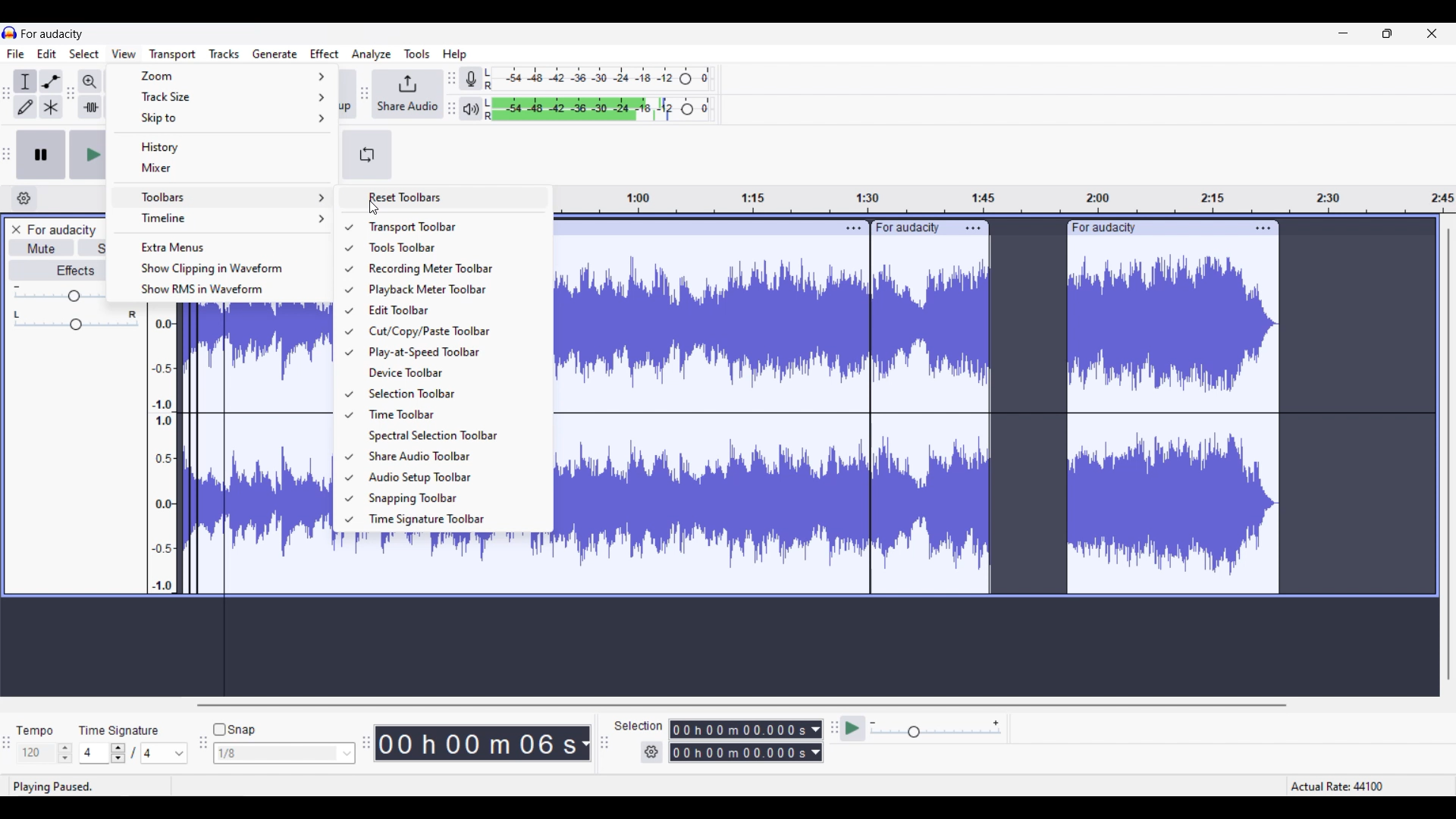 The image size is (1456, 819). Describe the element at coordinates (57, 269) in the screenshot. I see `Effects` at that location.